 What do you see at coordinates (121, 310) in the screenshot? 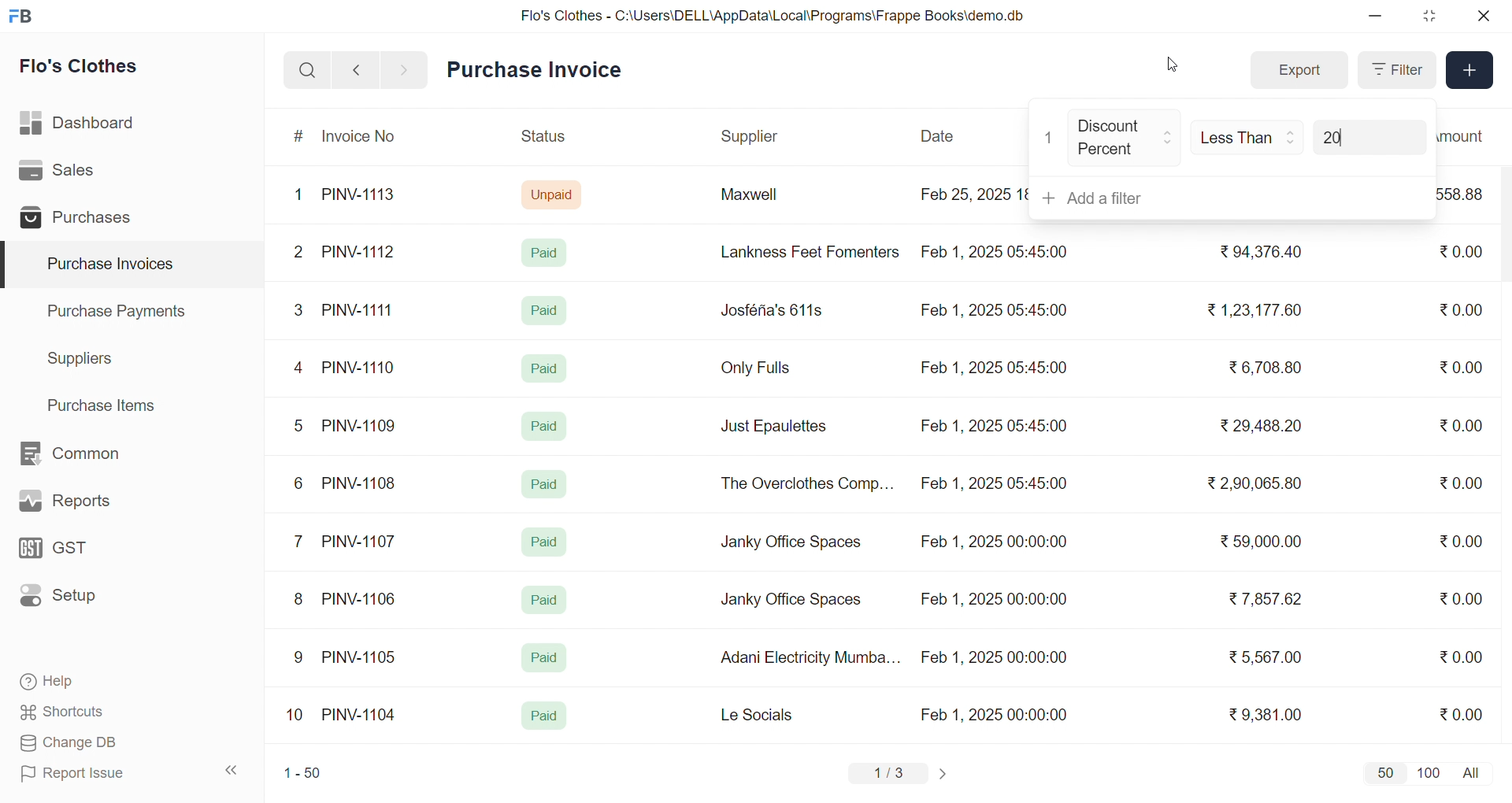
I see `Purchase Payments` at bounding box center [121, 310].